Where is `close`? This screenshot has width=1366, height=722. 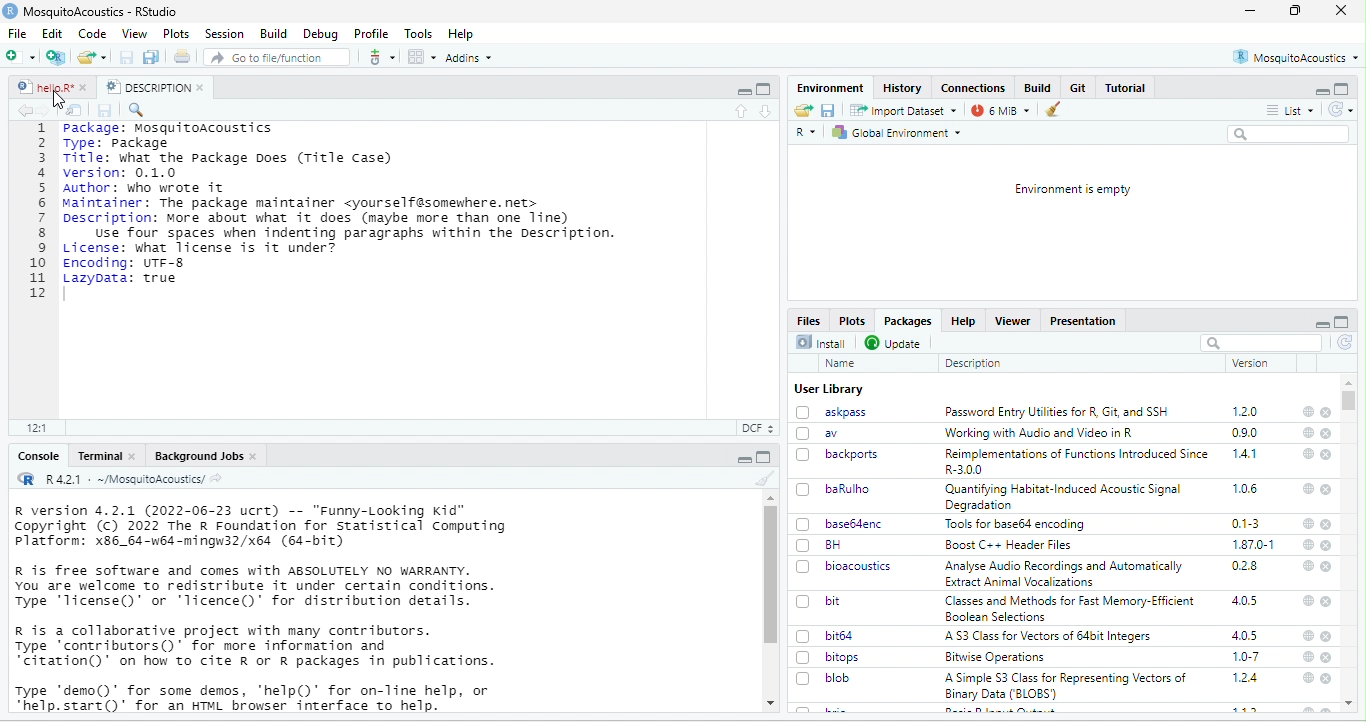
close is located at coordinates (1342, 11).